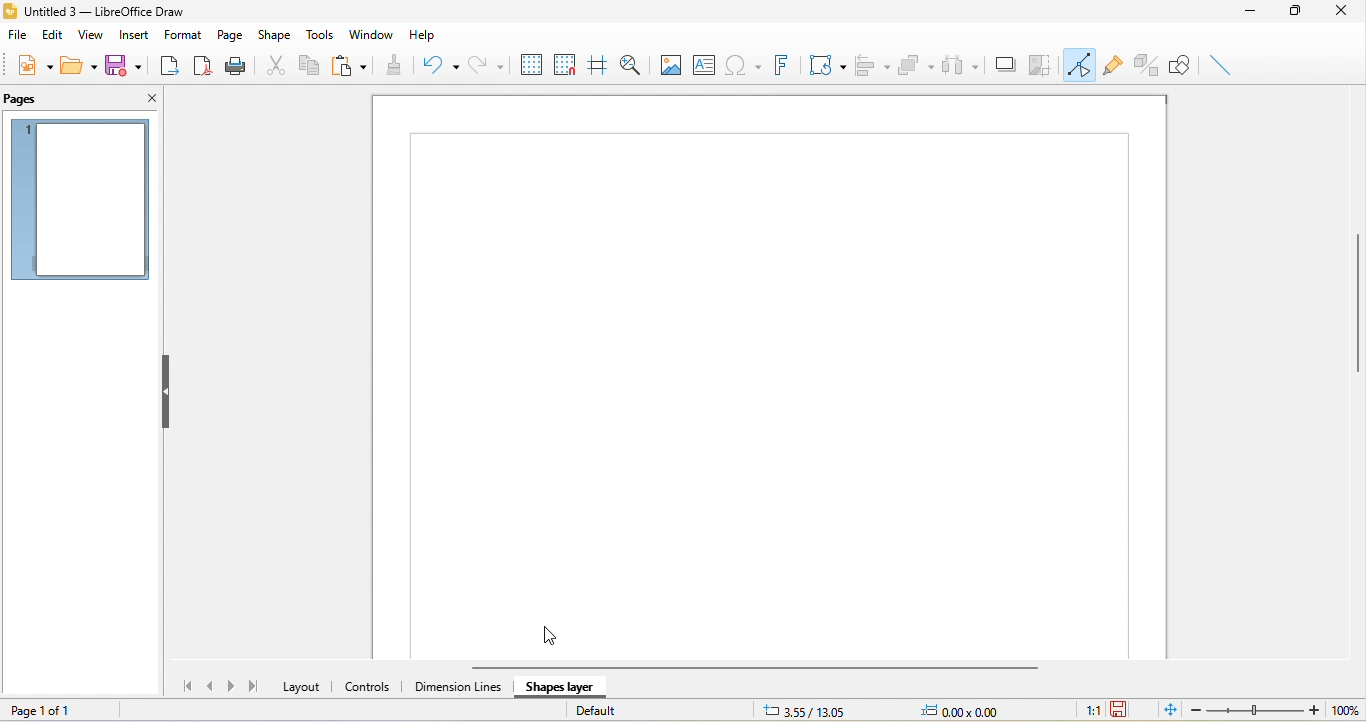 The width and height of the screenshot is (1366, 722). I want to click on shape, so click(274, 35).